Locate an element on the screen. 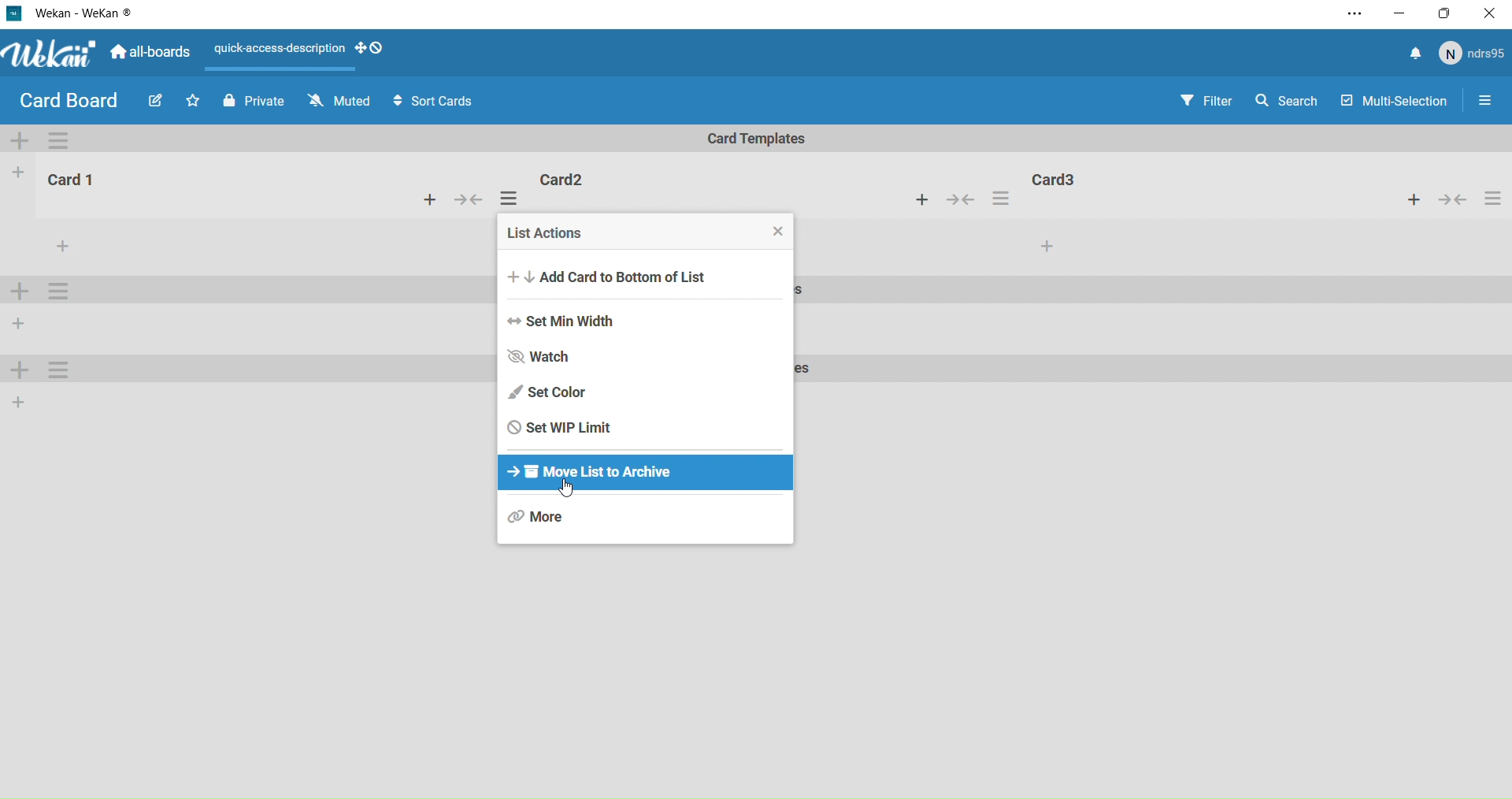 This screenshot has width=1512, height=799. Favourites is located at coordinates (194, 101).